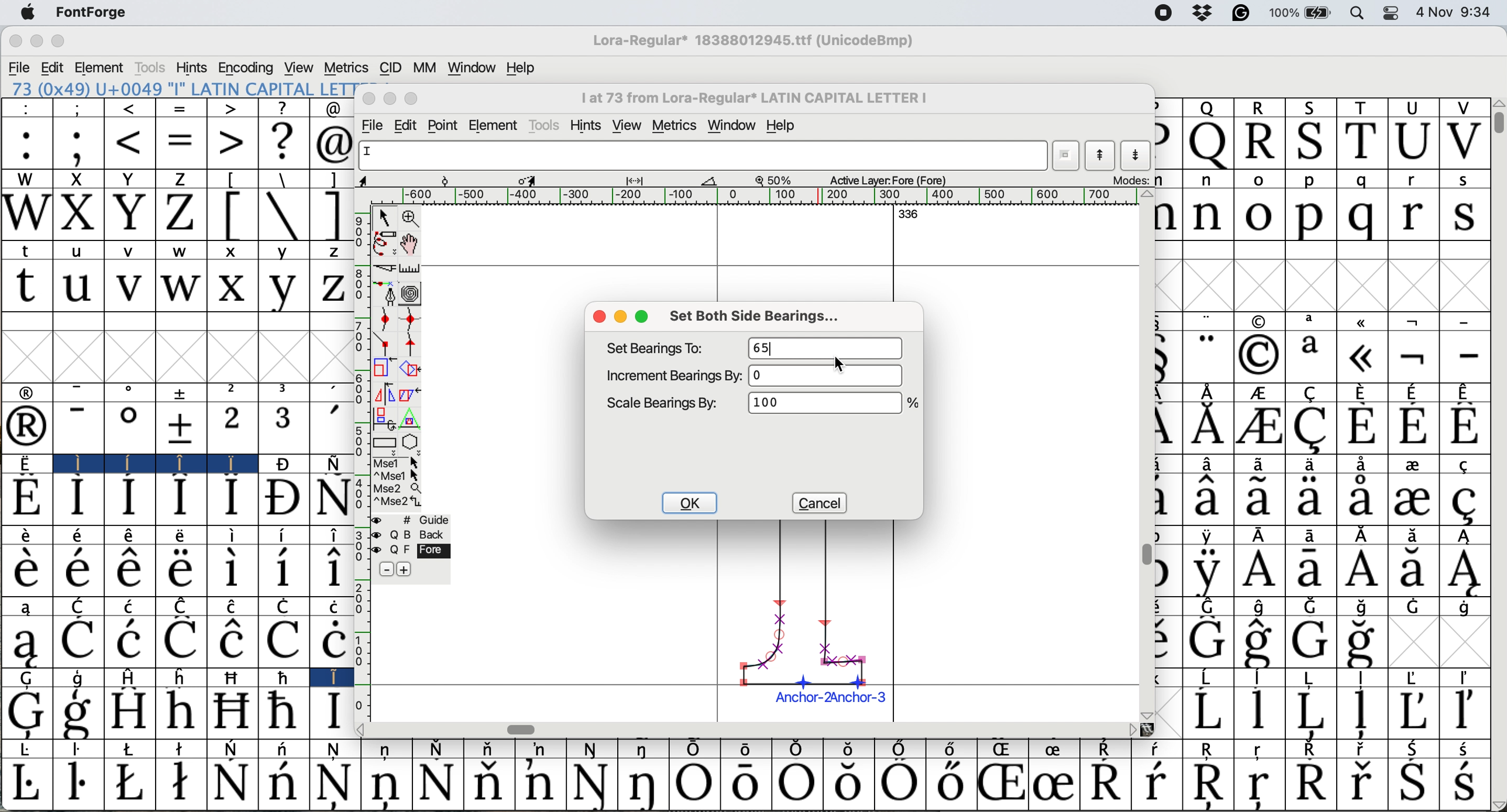  What do you see at coordinates (1266, 536) in the screenshot?
I see `Symbol` at bounding box center [1266, 536].